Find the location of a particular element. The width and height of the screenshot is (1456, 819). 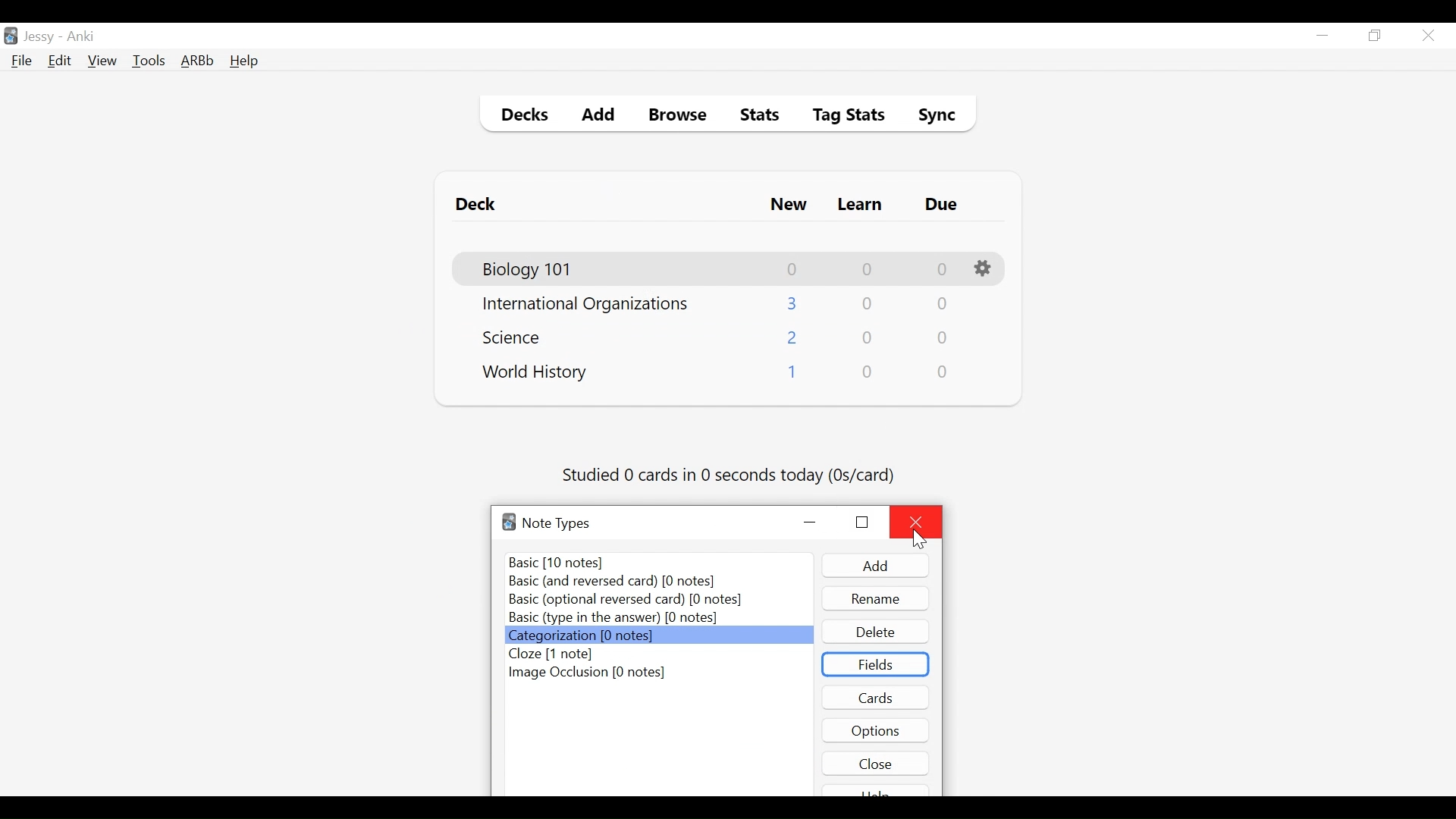

Restore is located at coordinates (1376, 36).